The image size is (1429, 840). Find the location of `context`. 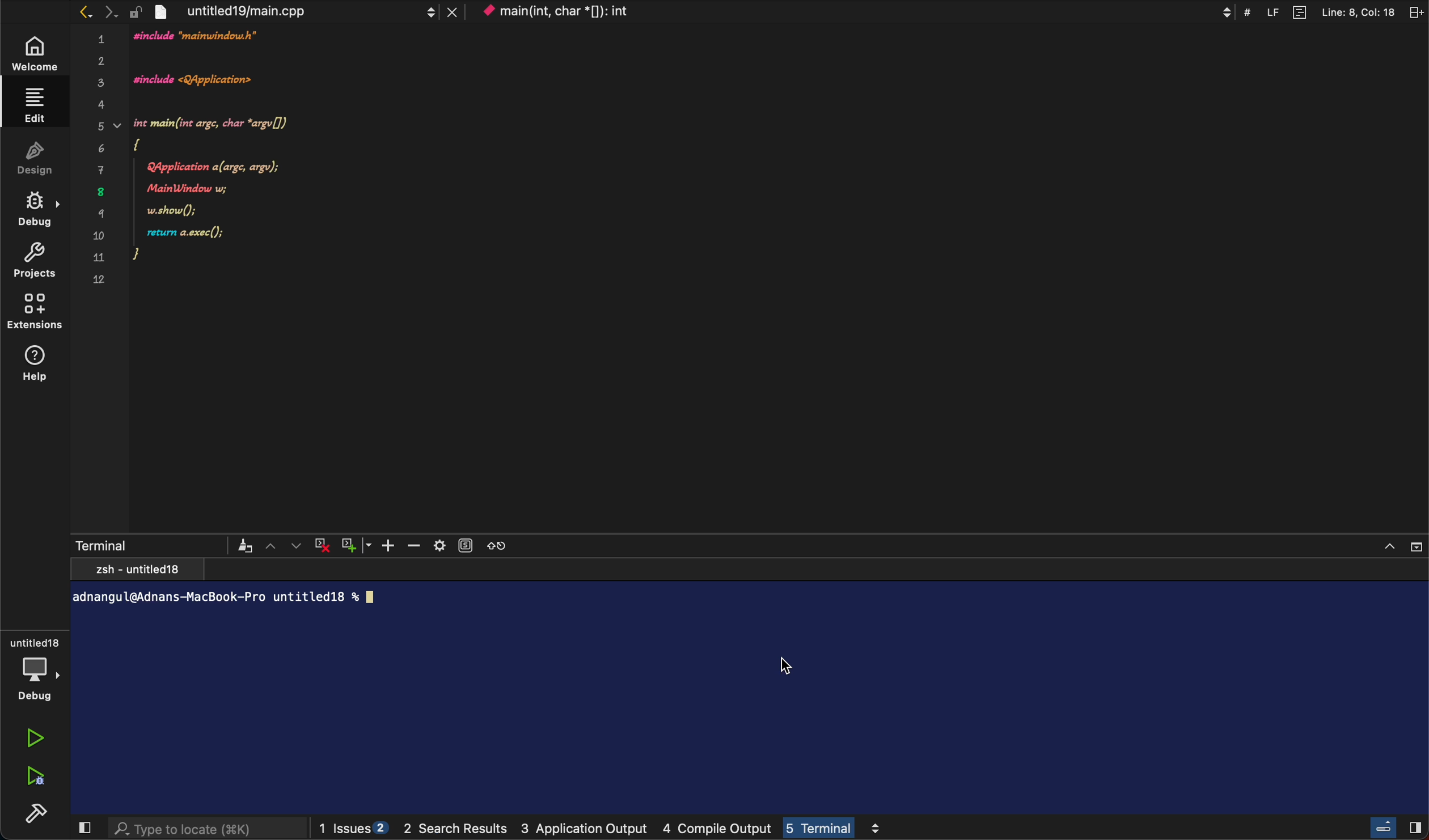

context is located at coordinates (579, 12).